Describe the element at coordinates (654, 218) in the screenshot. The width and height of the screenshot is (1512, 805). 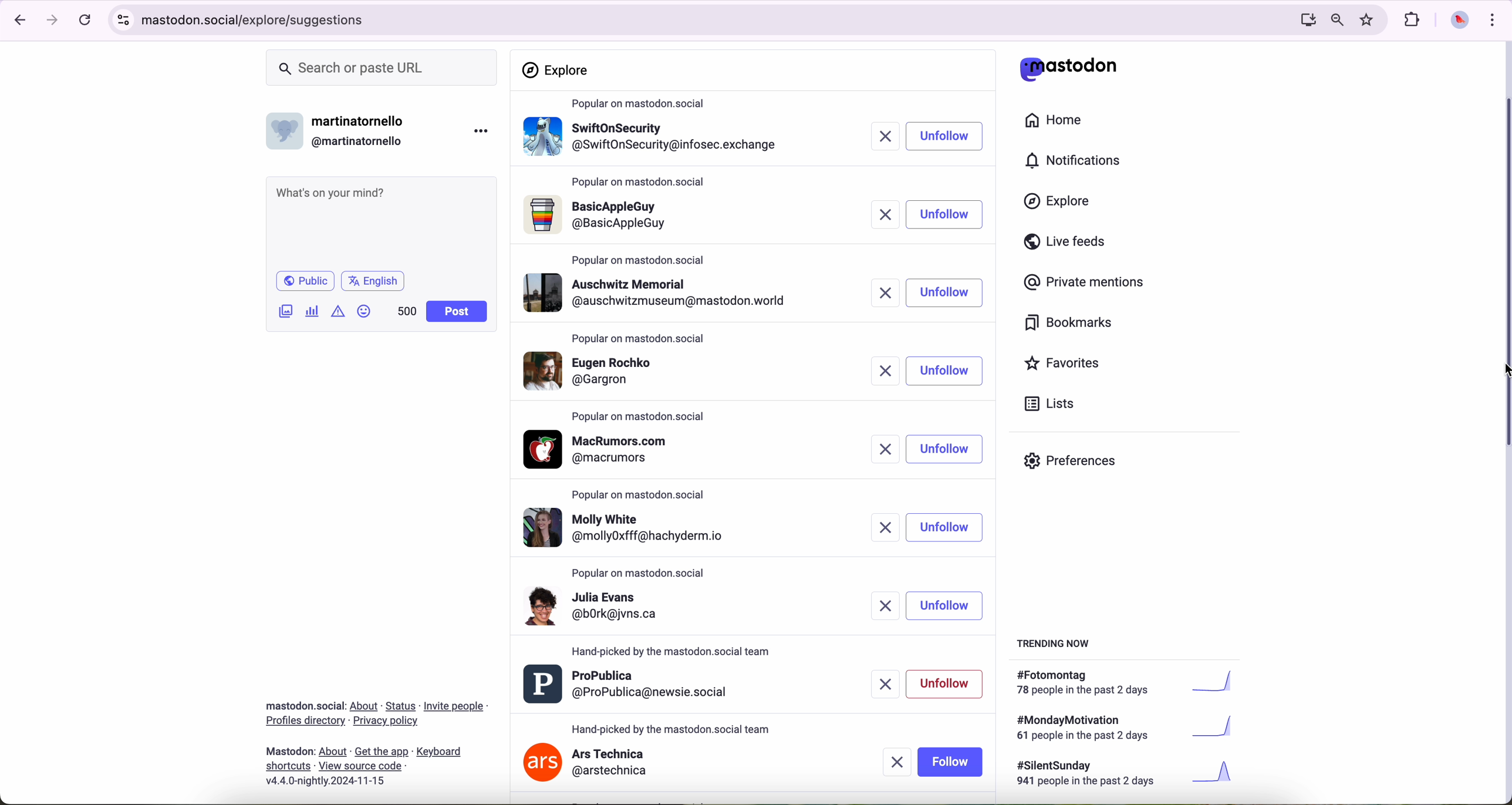
I see `profile` at that location.